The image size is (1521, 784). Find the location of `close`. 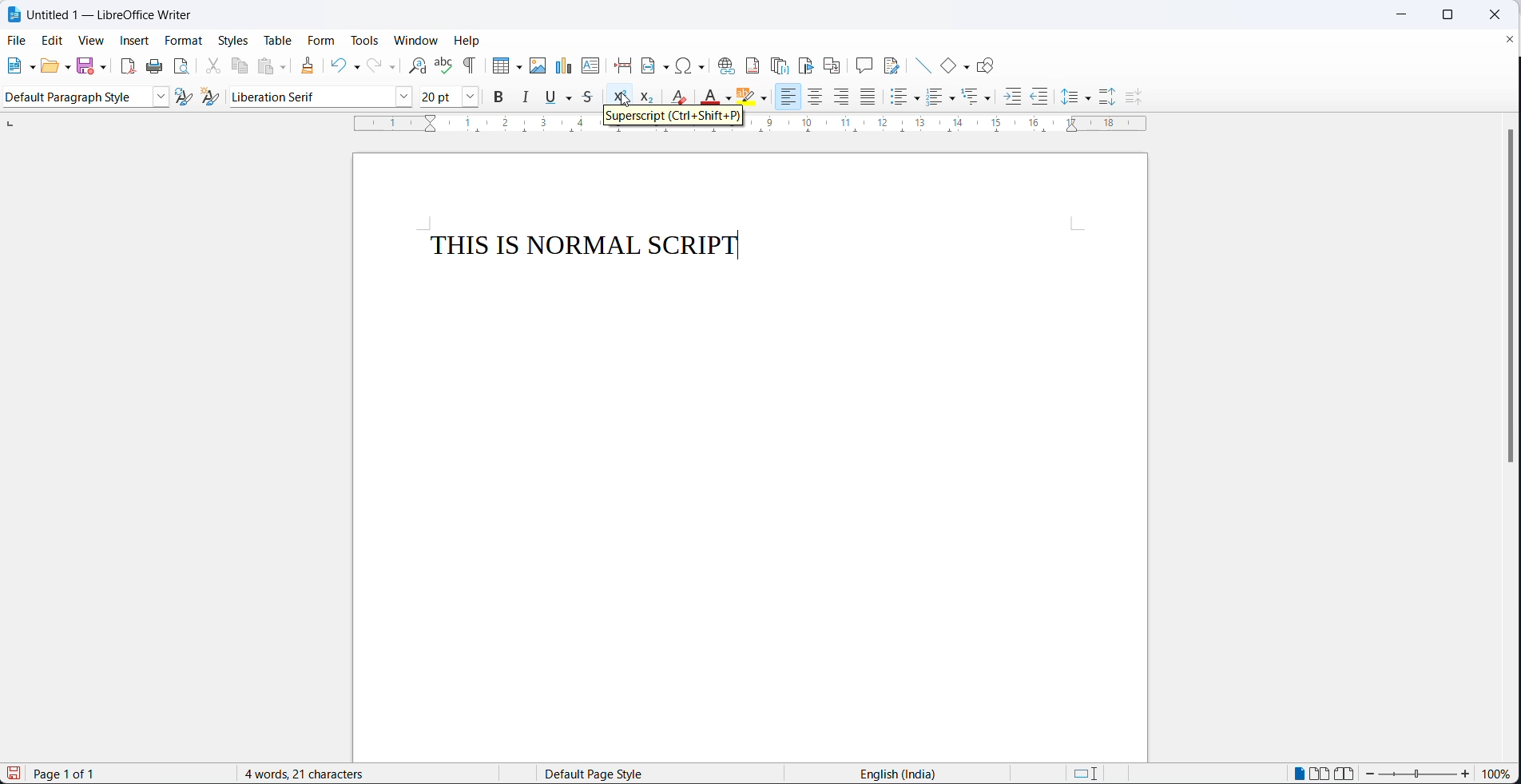

close is located at coordinates (1494, 16).